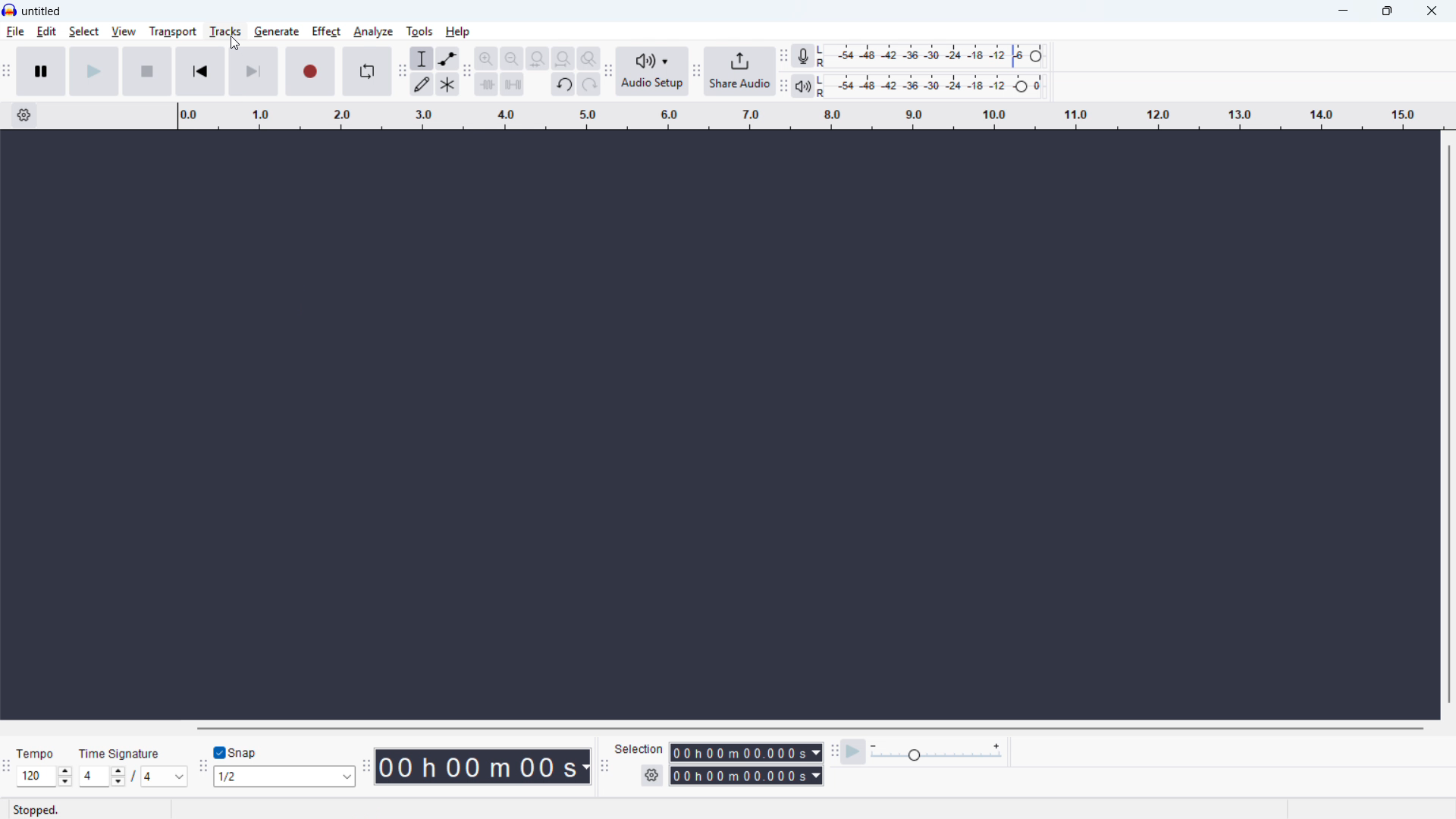 The height and width of the screenshot is (819, 1456). What do you see at coordinates (367, 72) in the screenshot?
I see `Enable looping ` at bounding box center [367, 72].